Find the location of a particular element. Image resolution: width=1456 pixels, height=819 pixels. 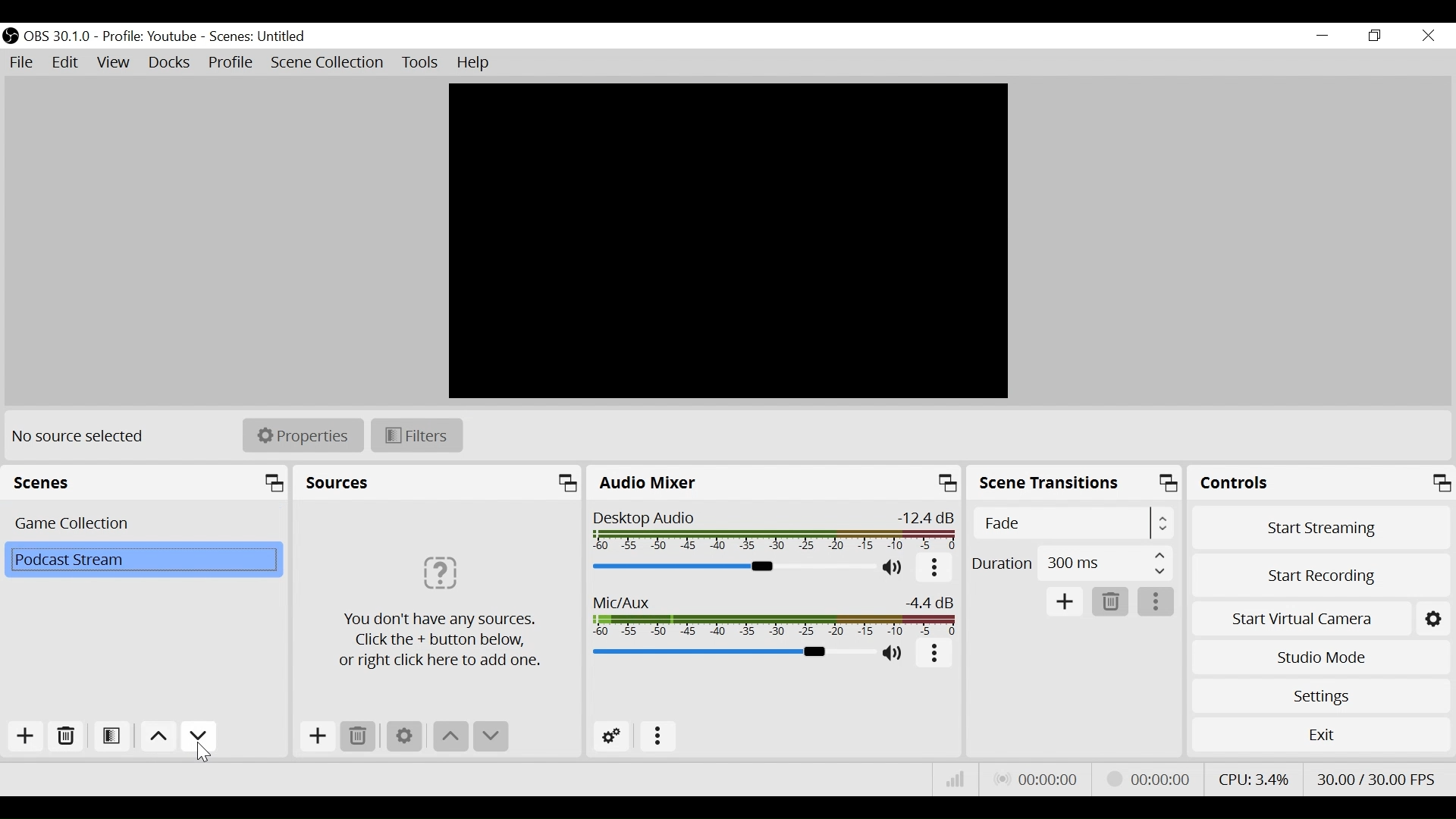

Properties is located at coordinates (302, 435).